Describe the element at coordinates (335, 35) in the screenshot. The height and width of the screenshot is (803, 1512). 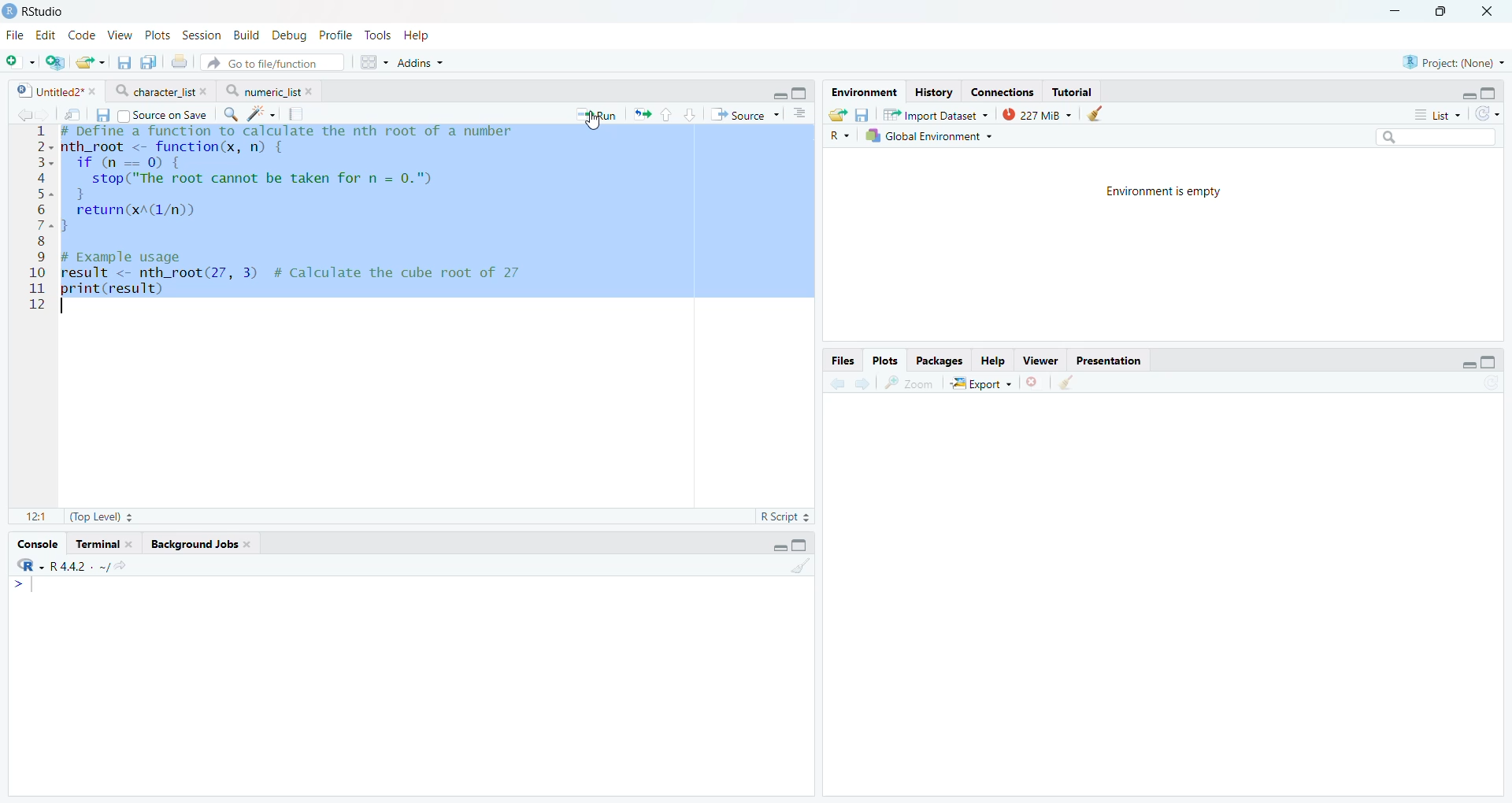
I see `Profile` at that location.